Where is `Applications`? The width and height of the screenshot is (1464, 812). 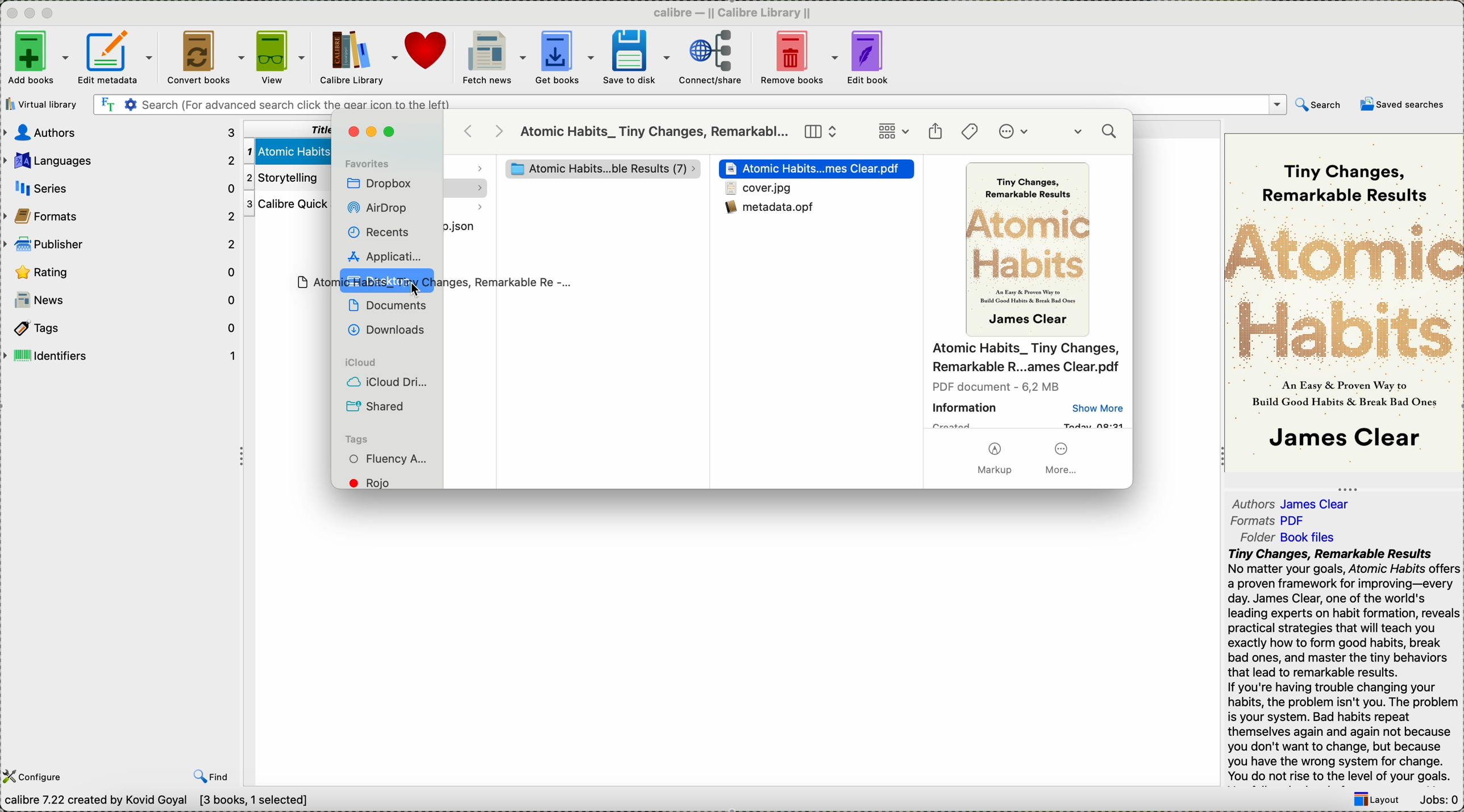 Applications is located at coordinates (383, 255).